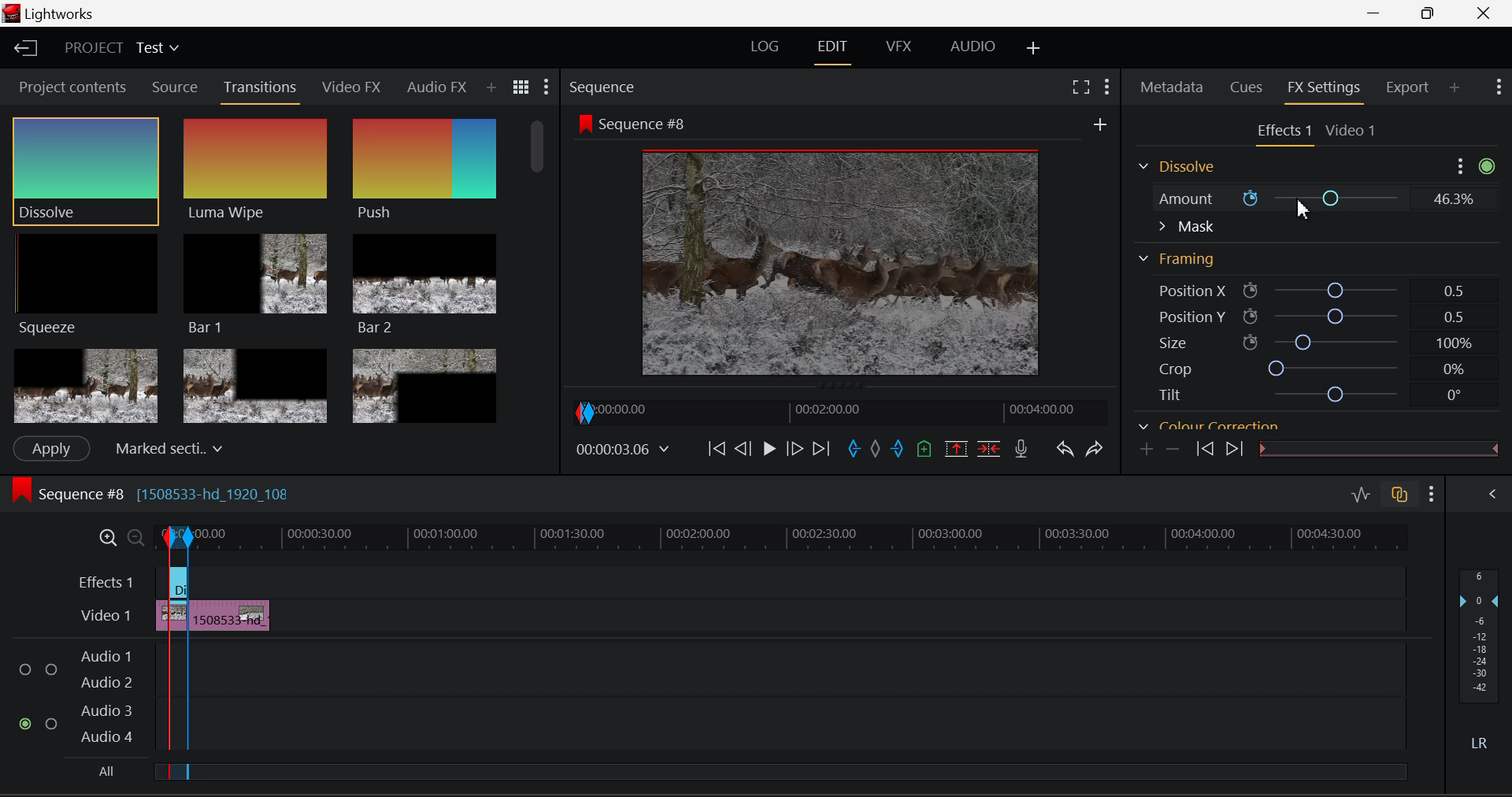 The width and height of the screenshot is (1512, 797). I want to click on Export, so click(1411, 87).